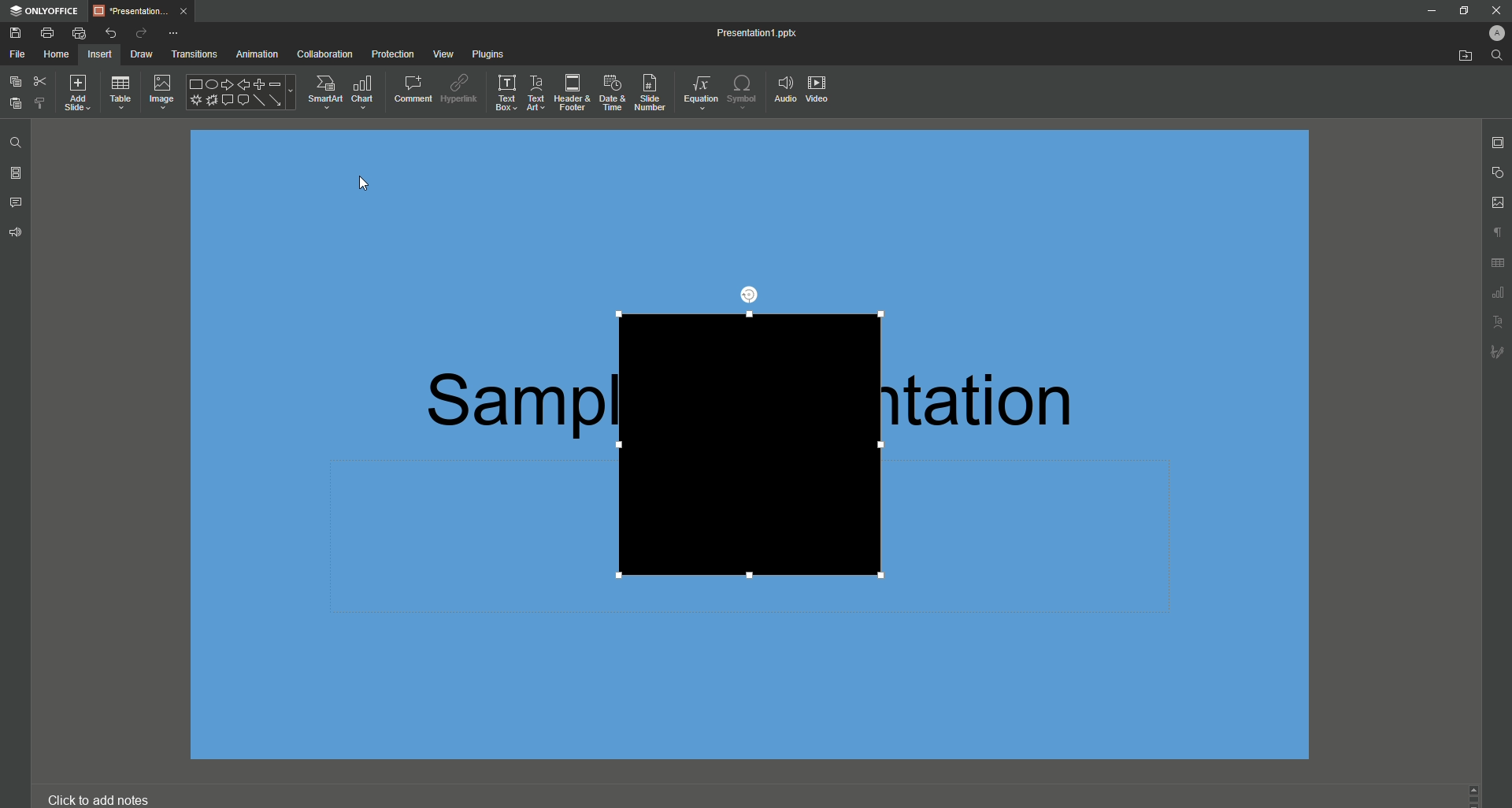 The image size is (1512, 808). I want to click on Table settings, so click(1498, 265).